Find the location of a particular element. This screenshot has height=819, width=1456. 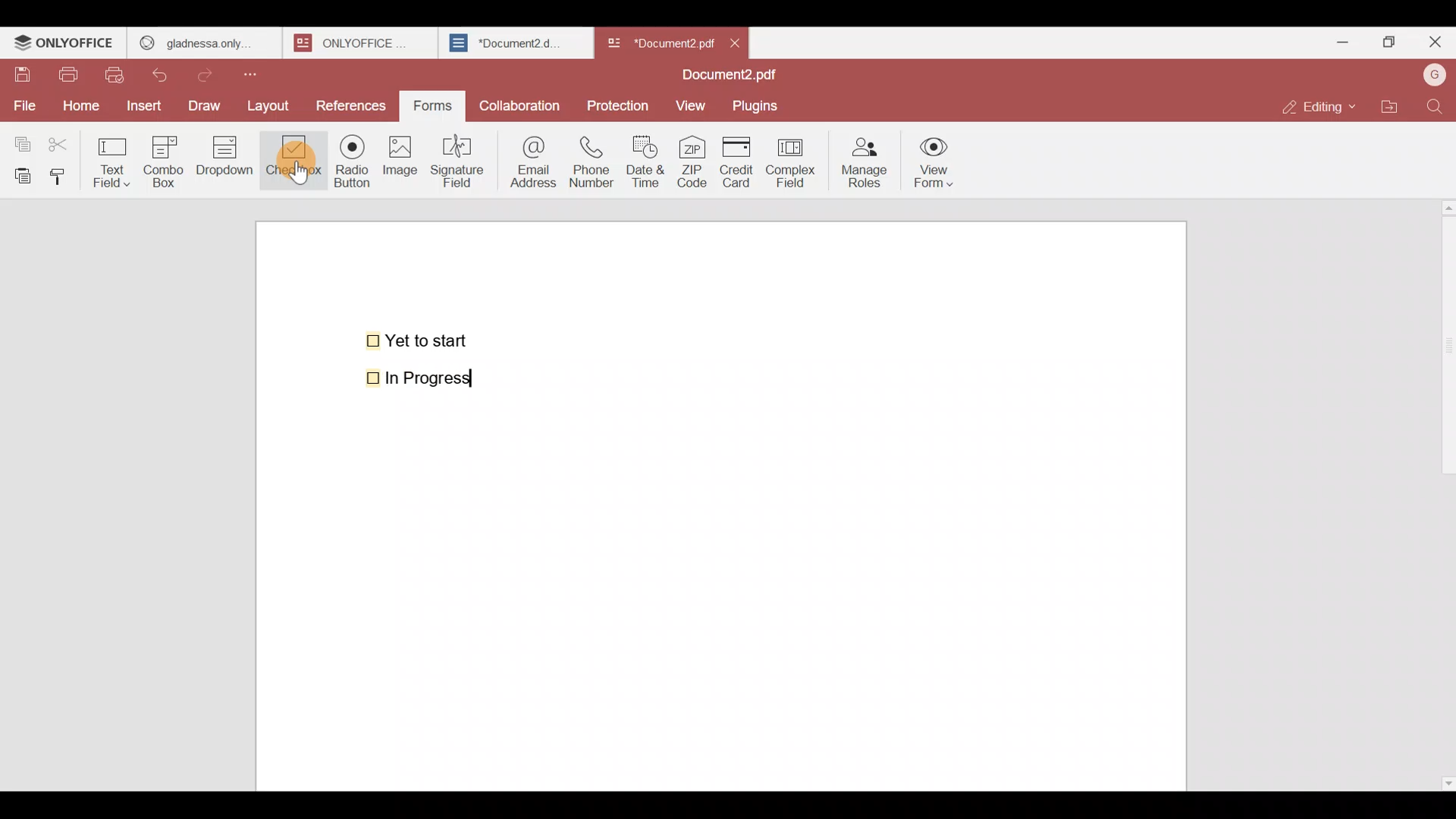

Email address is located at coordinates (530, 160).